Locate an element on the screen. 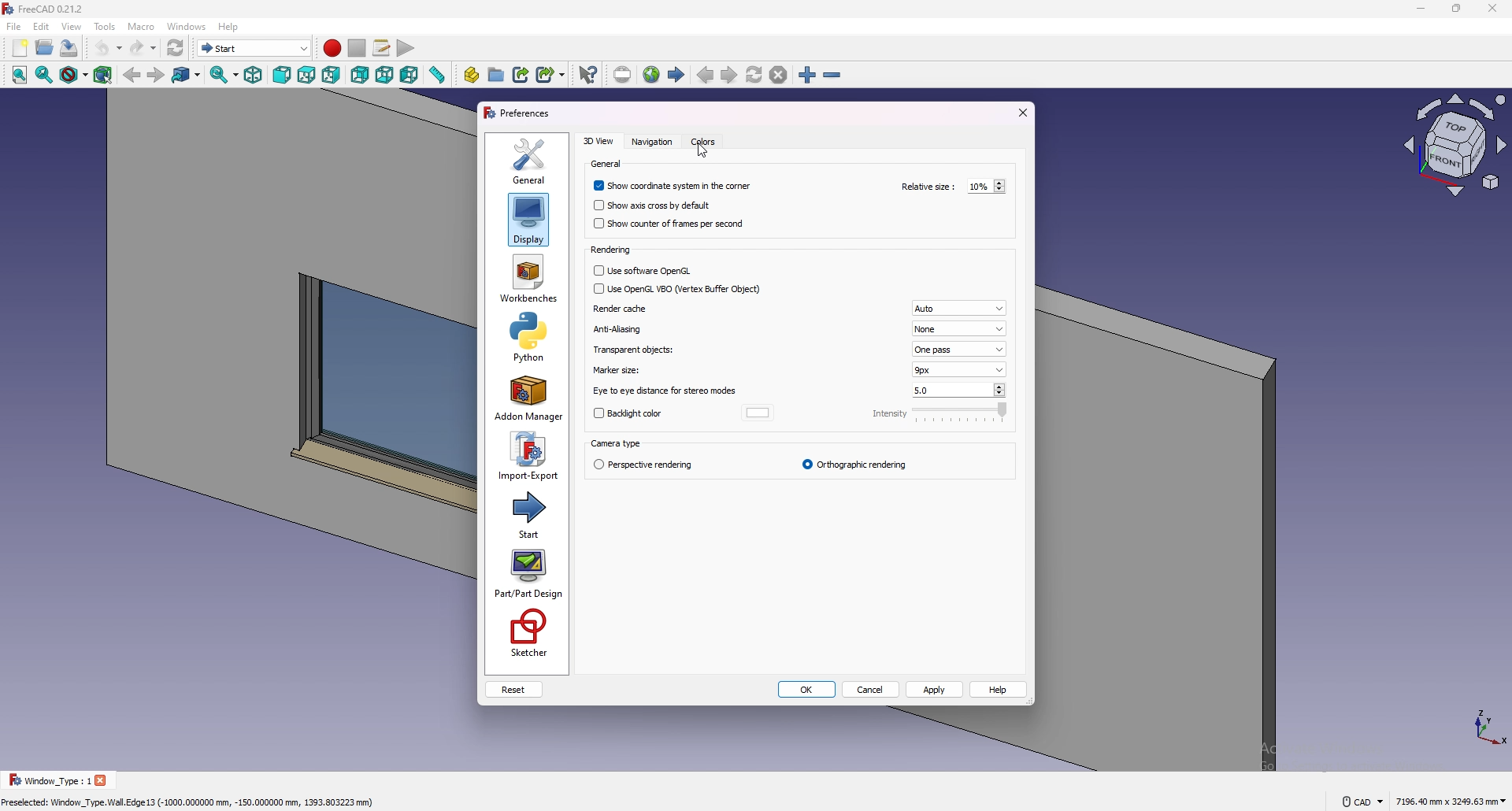 This screenshot has width=1512, height=811. part/part design is located at coordinates (529, 574).